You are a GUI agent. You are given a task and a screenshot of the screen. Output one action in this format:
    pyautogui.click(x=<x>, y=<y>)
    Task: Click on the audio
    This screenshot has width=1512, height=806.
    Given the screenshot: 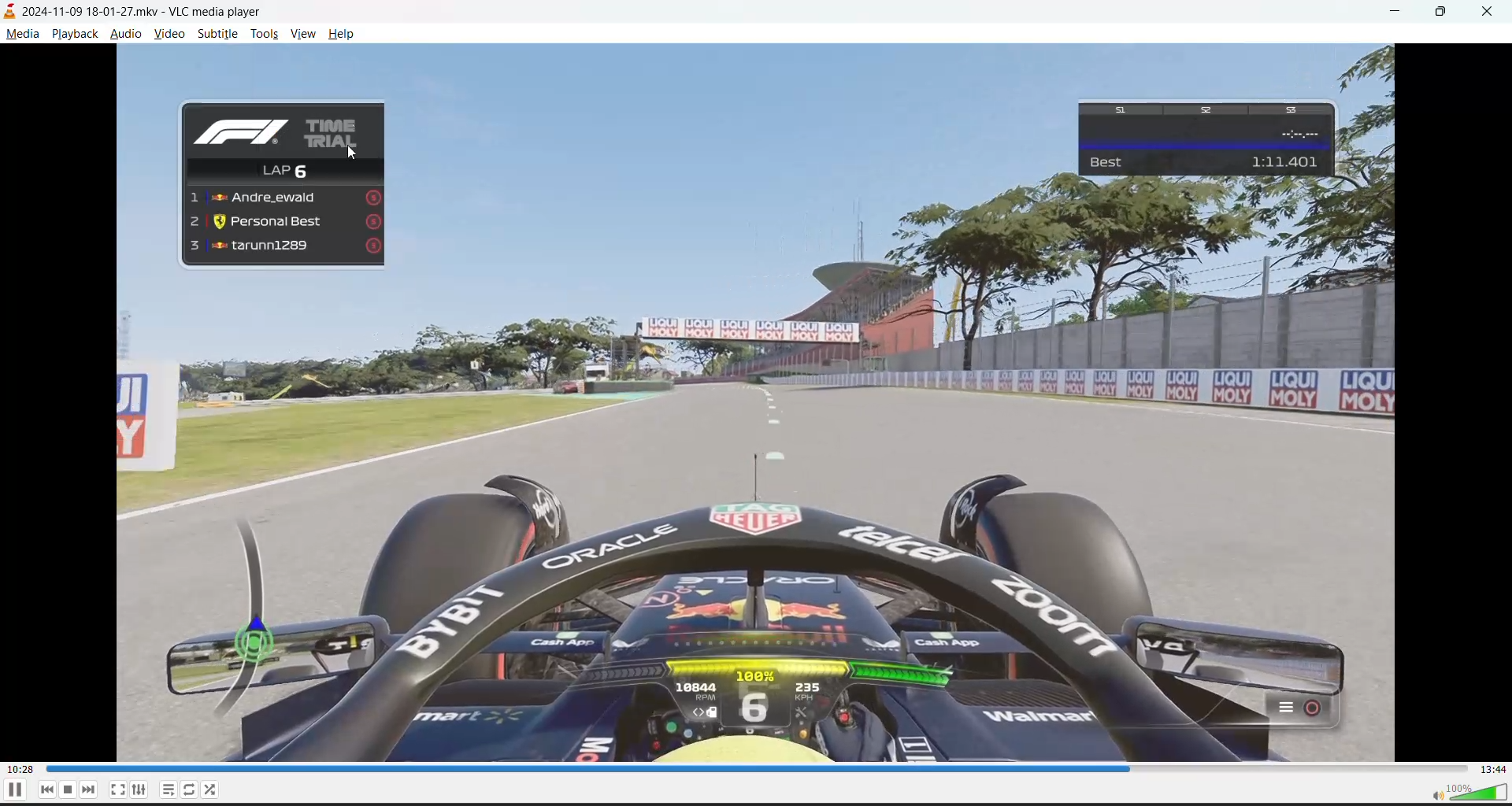 What is the action you would take?
    pyautogui.click(x=128, y=35)
    